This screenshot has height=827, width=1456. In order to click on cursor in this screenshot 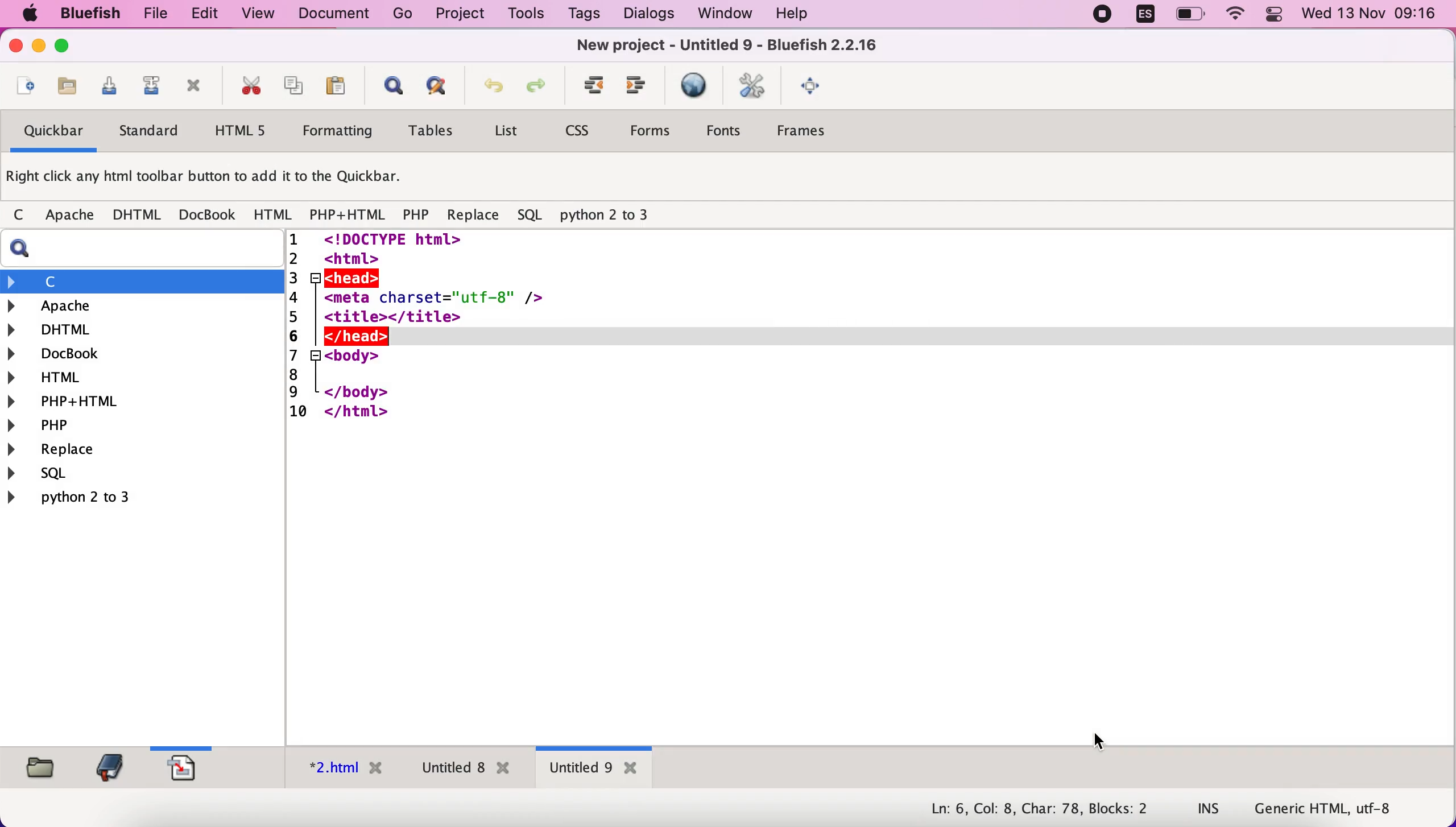, I will do `click(1098, 744)`.